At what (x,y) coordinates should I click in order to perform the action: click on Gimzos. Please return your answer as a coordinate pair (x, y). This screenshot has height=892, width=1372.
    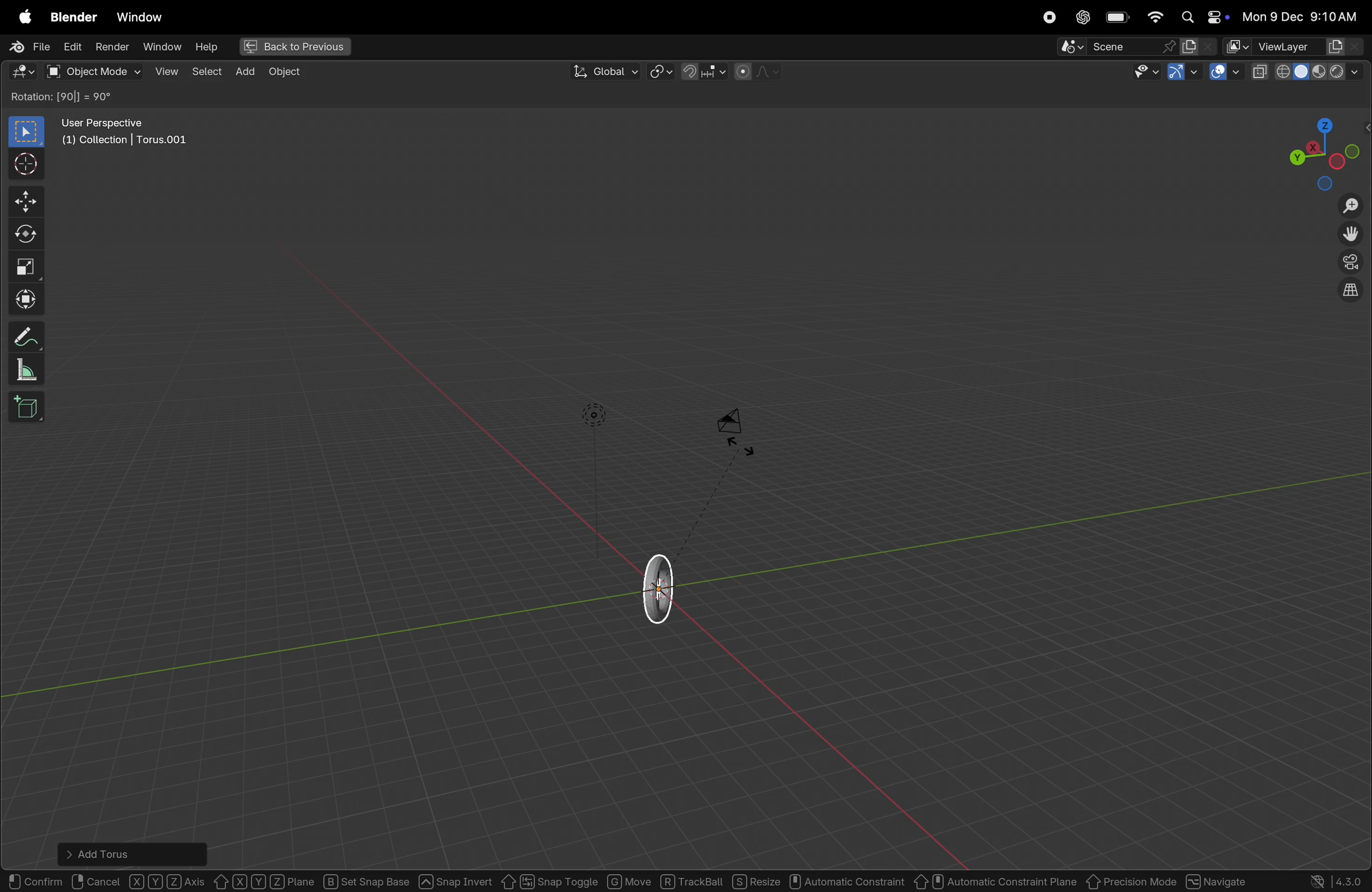
    Looking at the image, I should click on (1182, 73).